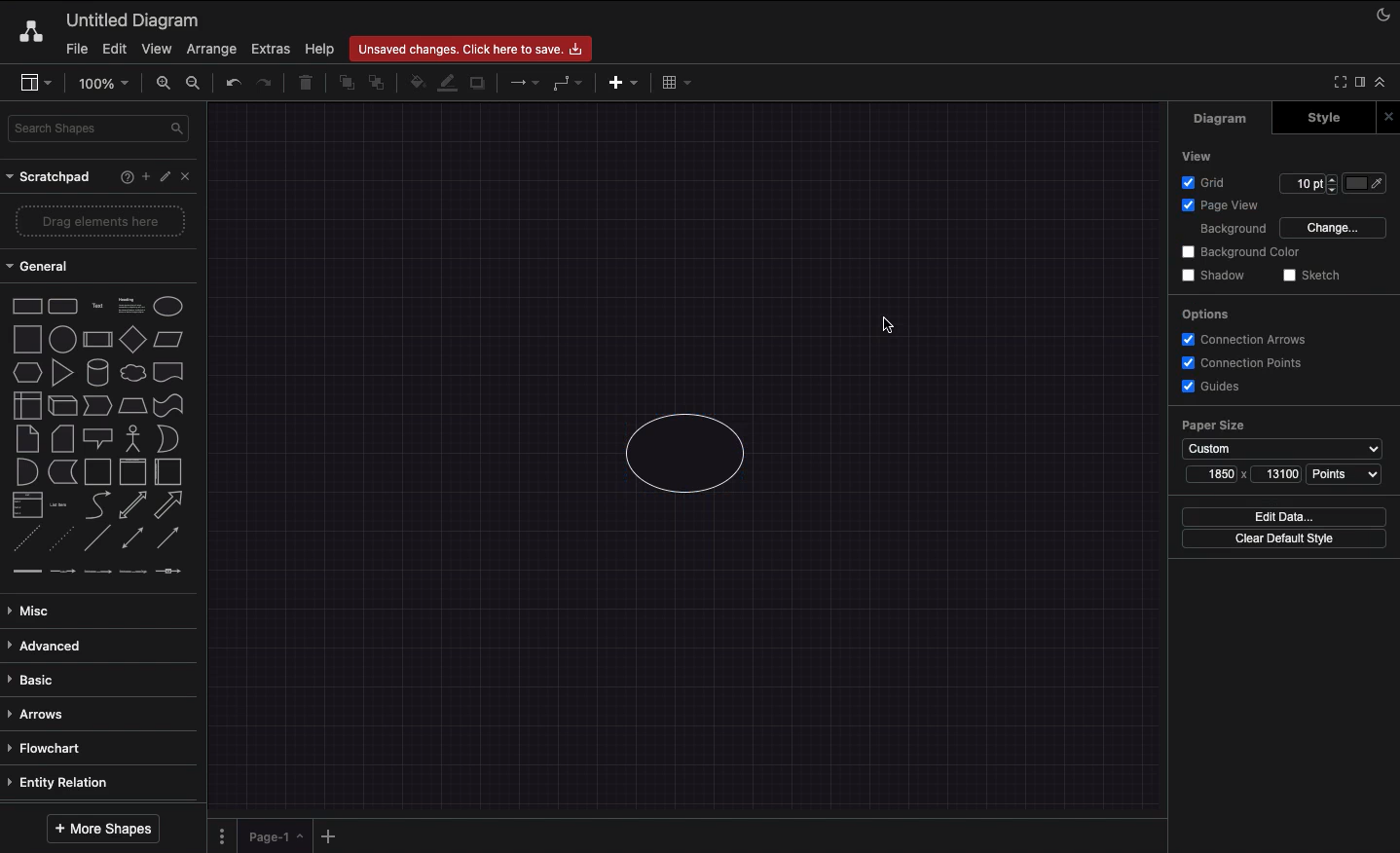 Image resolution: width=1400 pixels, height=853 pixels. What do you see at coordinates (26, 404) in the screenshot?
I see `Internal storage` at bounding box center [26, 404].